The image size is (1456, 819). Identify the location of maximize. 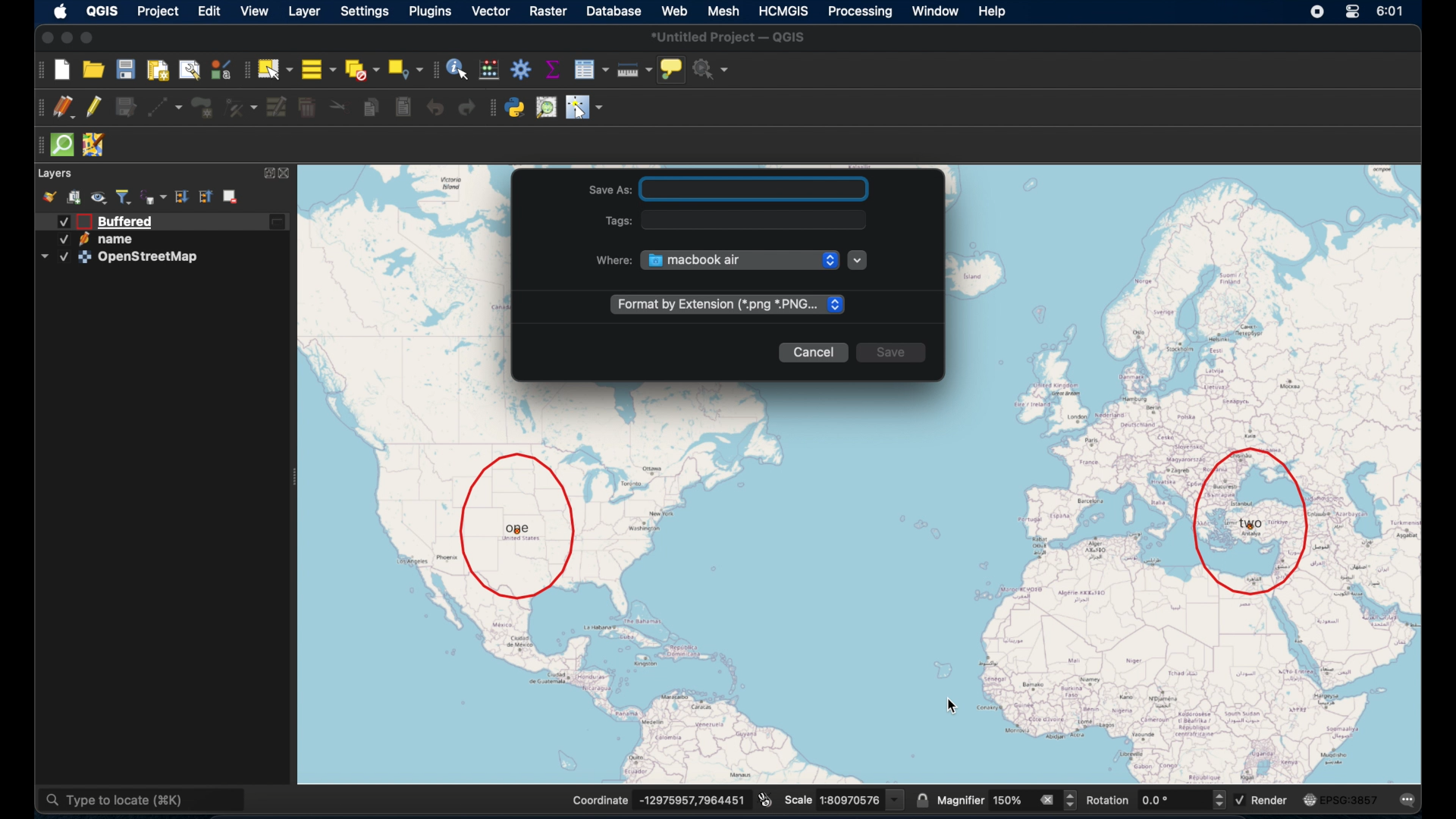
(89, 38).